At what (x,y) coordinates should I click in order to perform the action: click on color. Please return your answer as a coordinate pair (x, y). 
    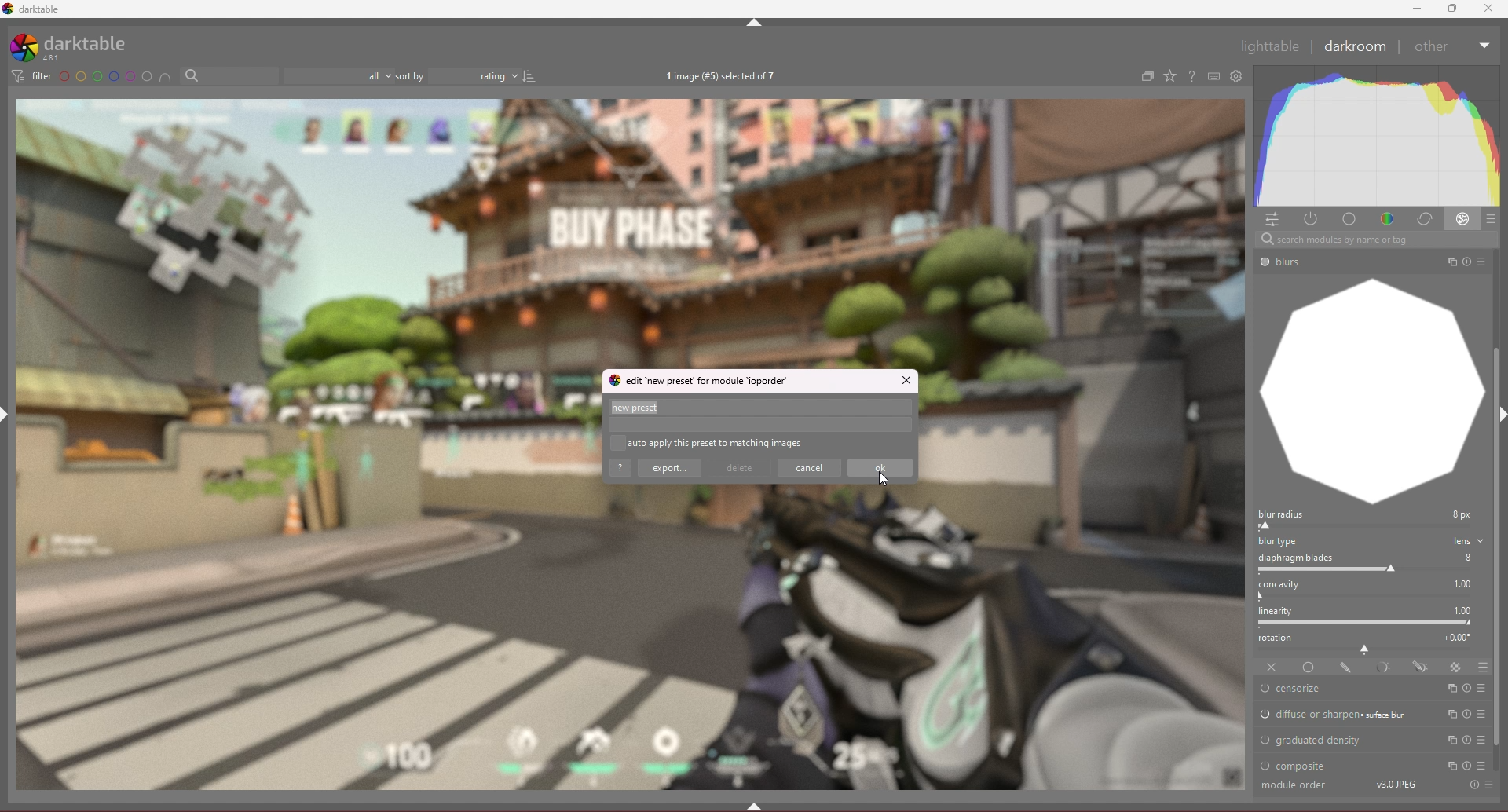
    Looking at the image, I should click on (1389, 219).